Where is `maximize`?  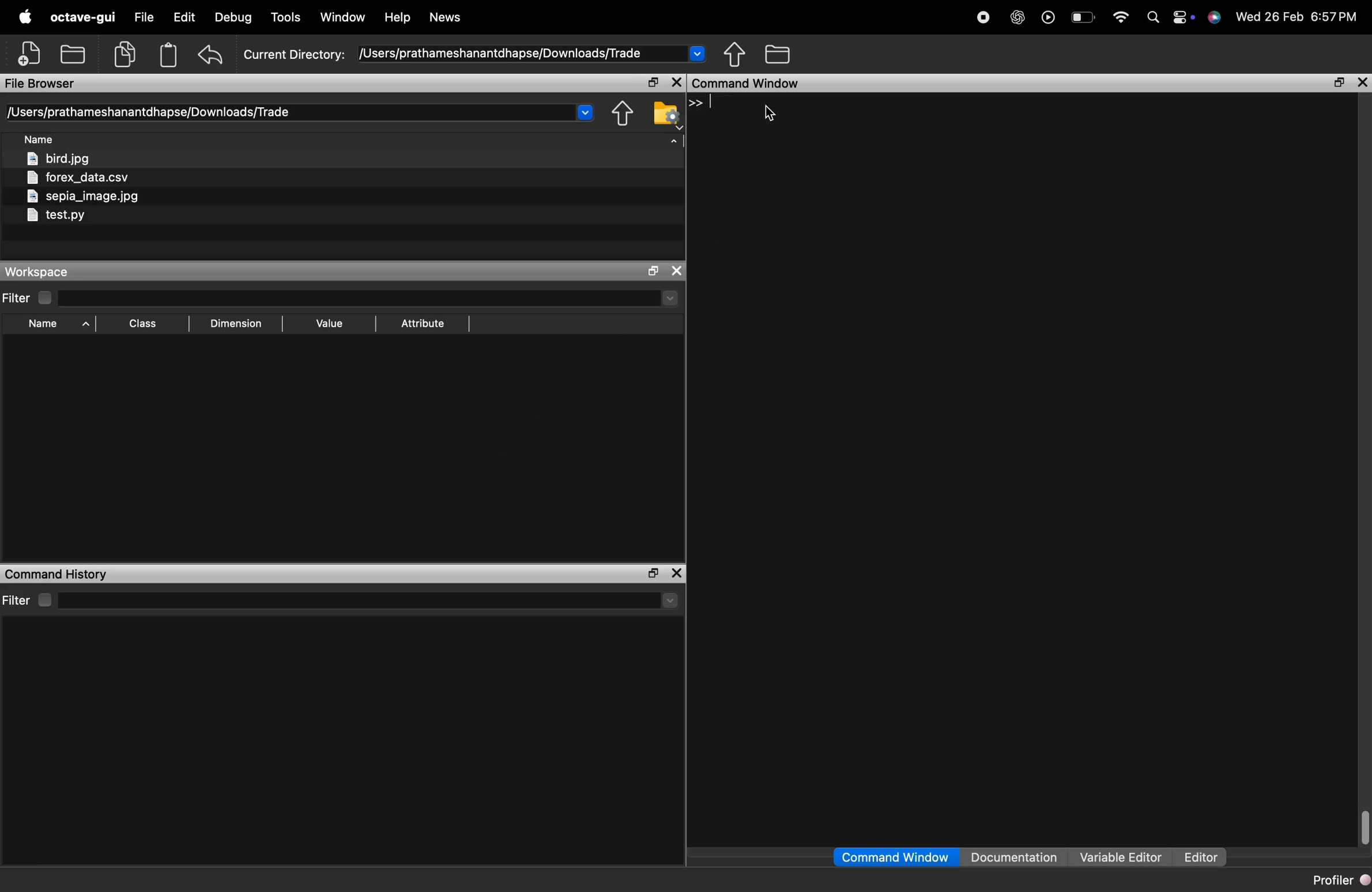 maximize is located at coordinates (653, 271).